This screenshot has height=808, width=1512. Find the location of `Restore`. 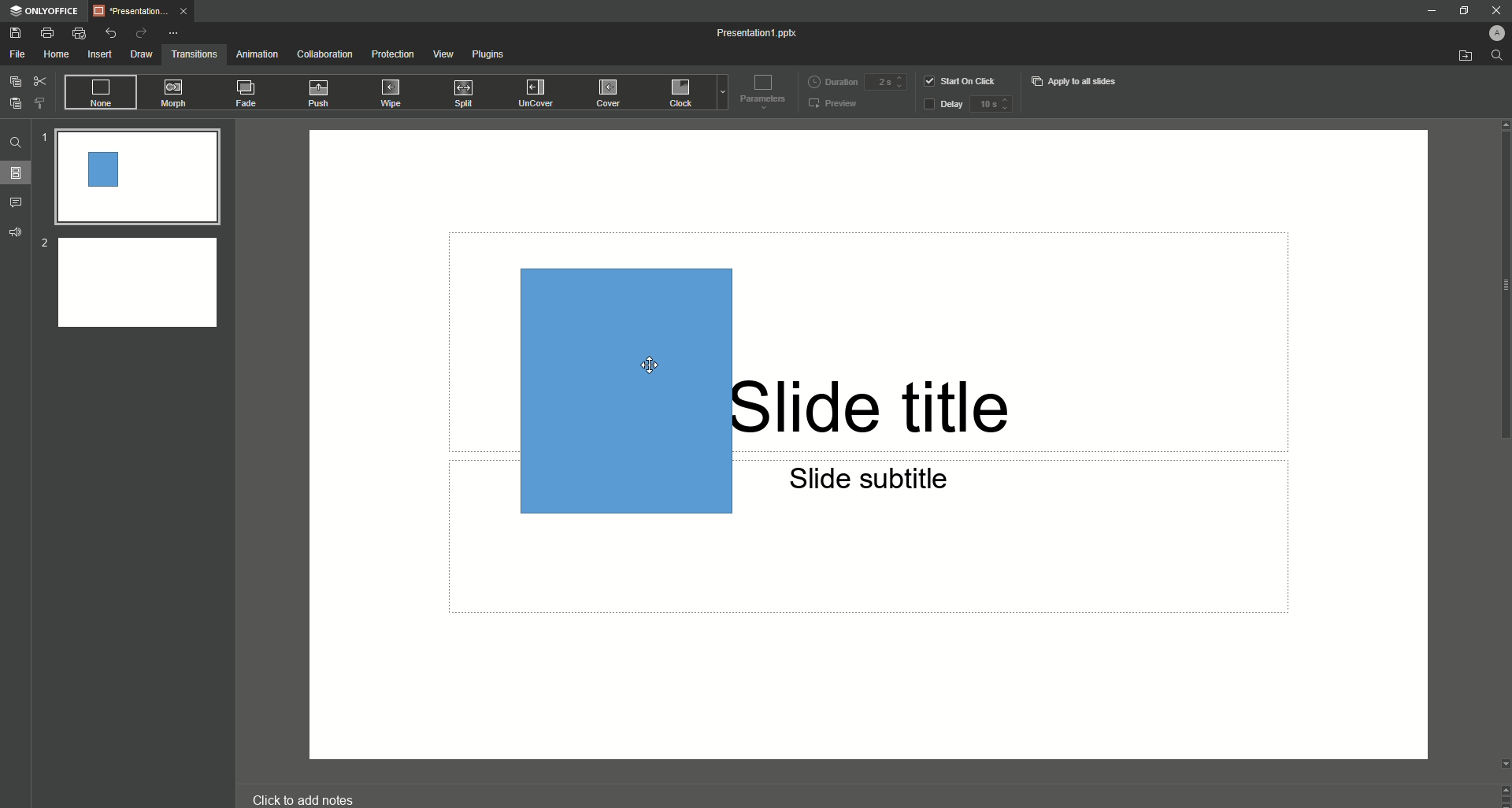

Restore is located at coordinates (1460, 10).